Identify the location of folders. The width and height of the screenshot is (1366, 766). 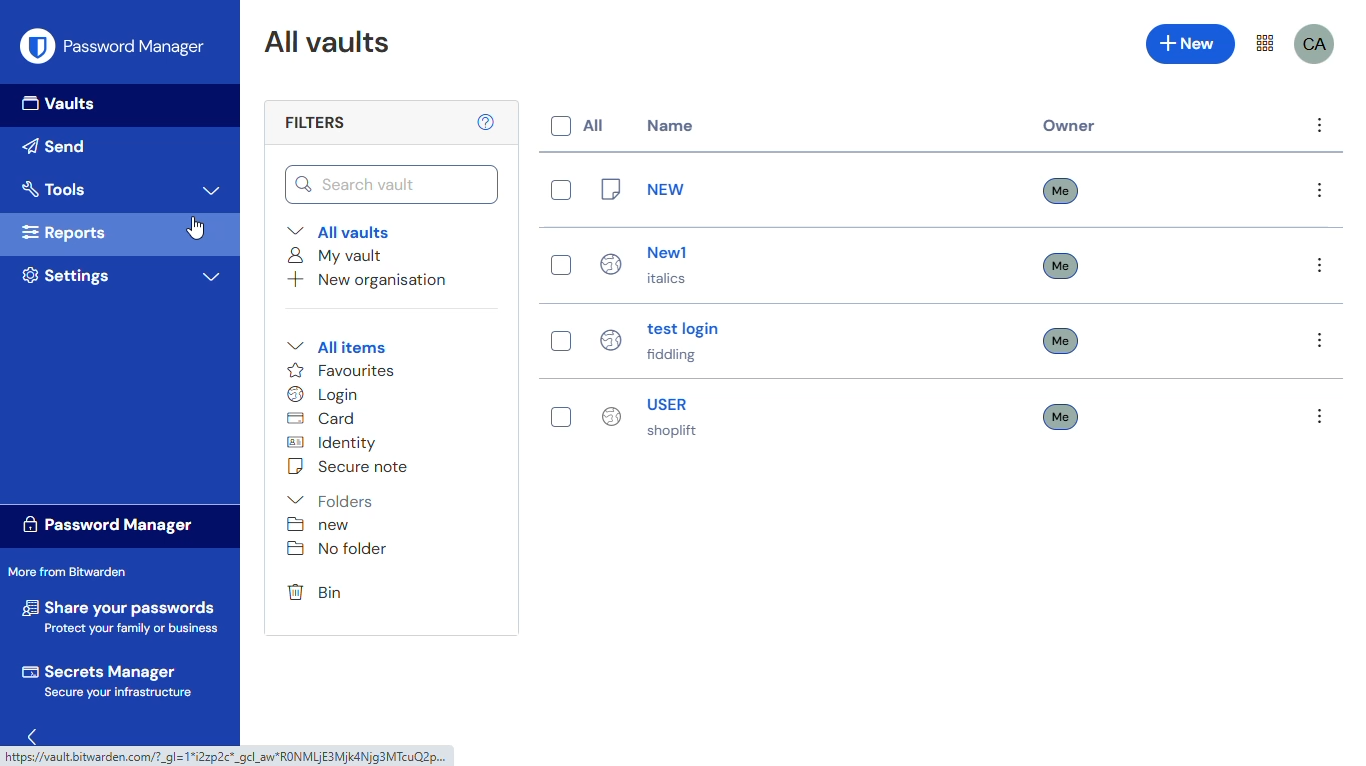
(329, 500).